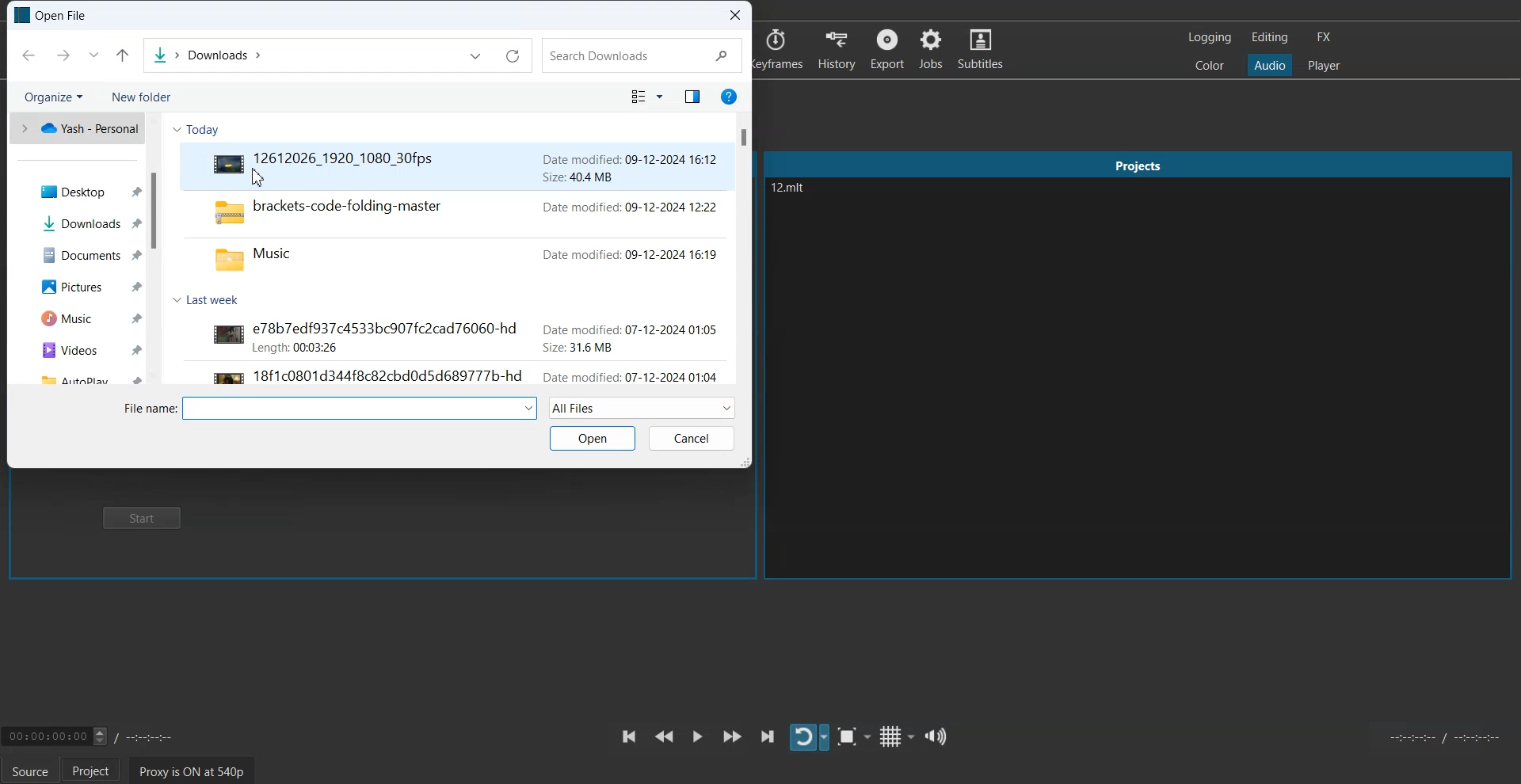  Describe the element at coordinates (78, 224) in the screenshot. I see `Downloads` at that location.